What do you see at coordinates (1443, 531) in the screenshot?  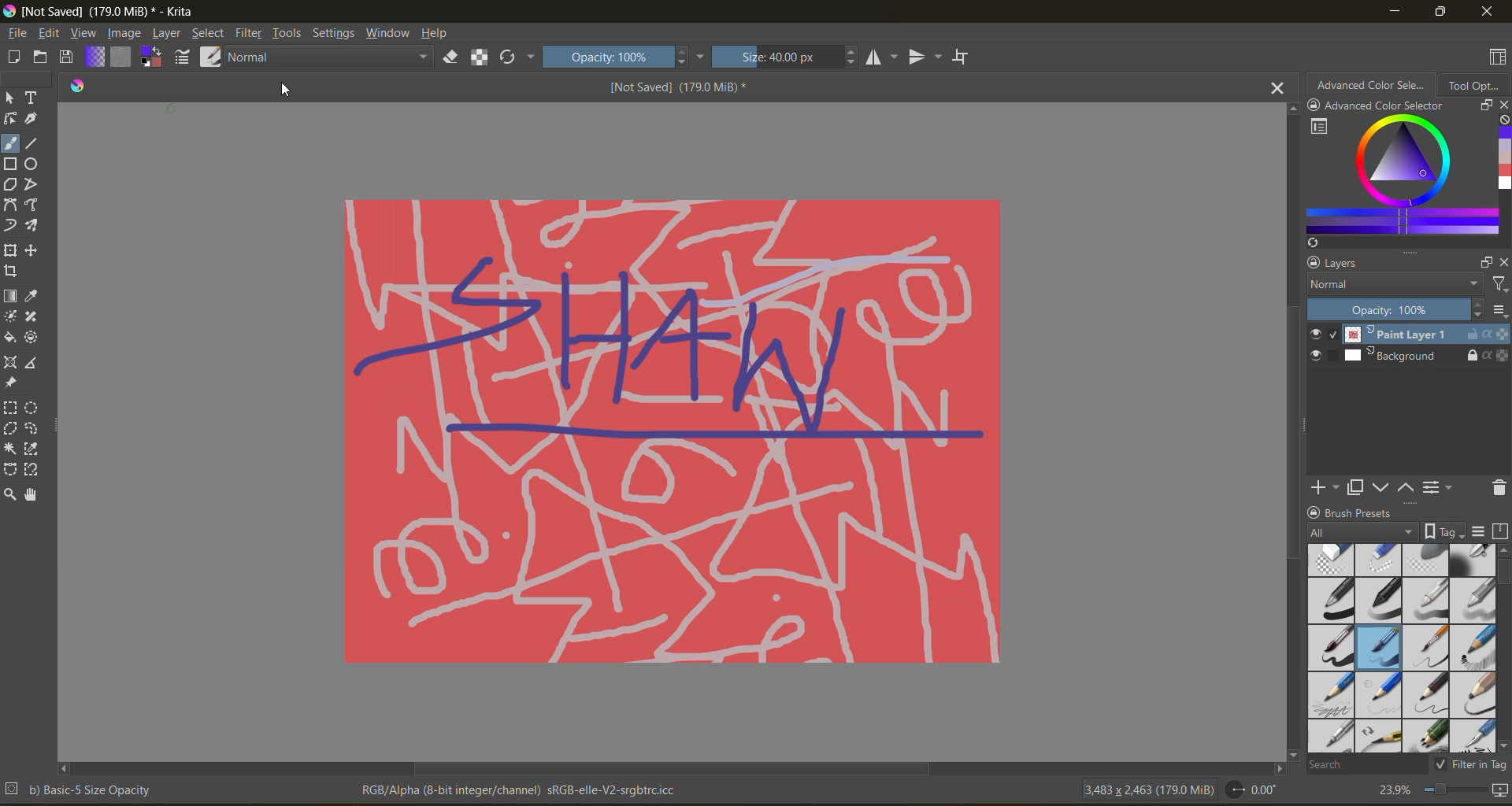 I see `show tag` at bounding box center [1443, 531].